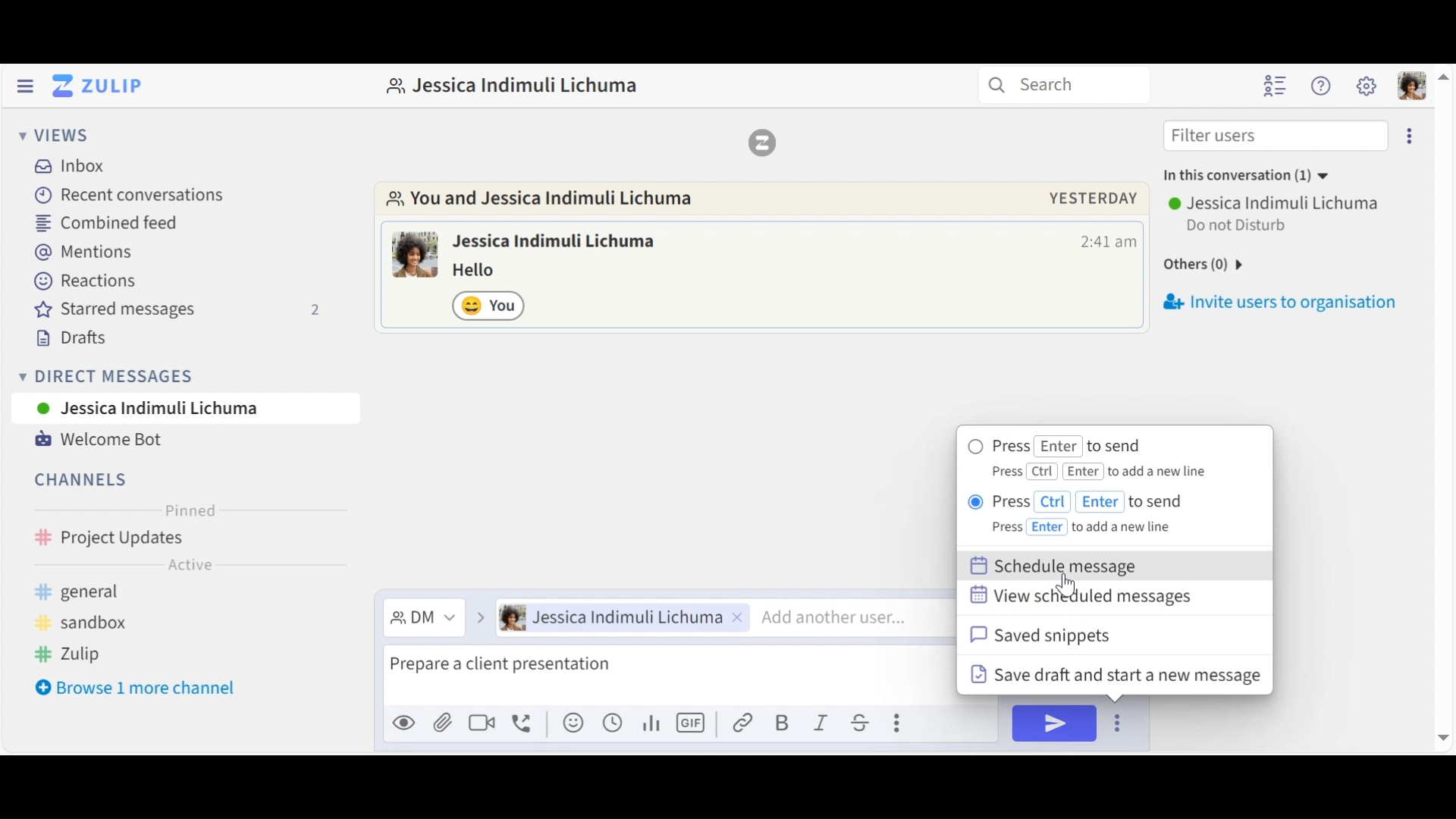  What do you see at coordinates (94, 86) in the screenshot?
I see `Go to Home View` at bounding box center [94, 86].